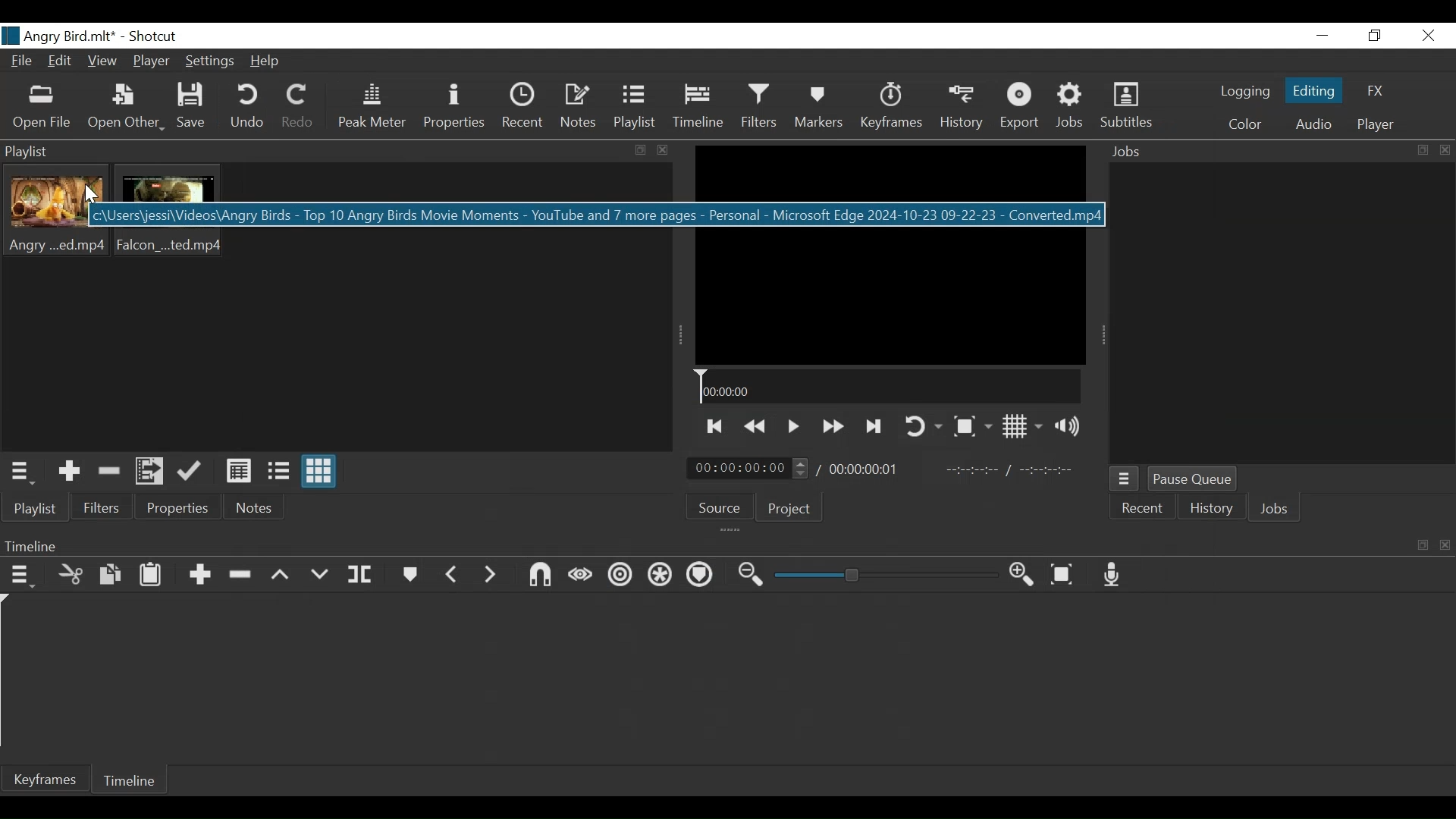  Describe the element at coordinates (541, 576) in the screenshot. I see `Snap` at that location.